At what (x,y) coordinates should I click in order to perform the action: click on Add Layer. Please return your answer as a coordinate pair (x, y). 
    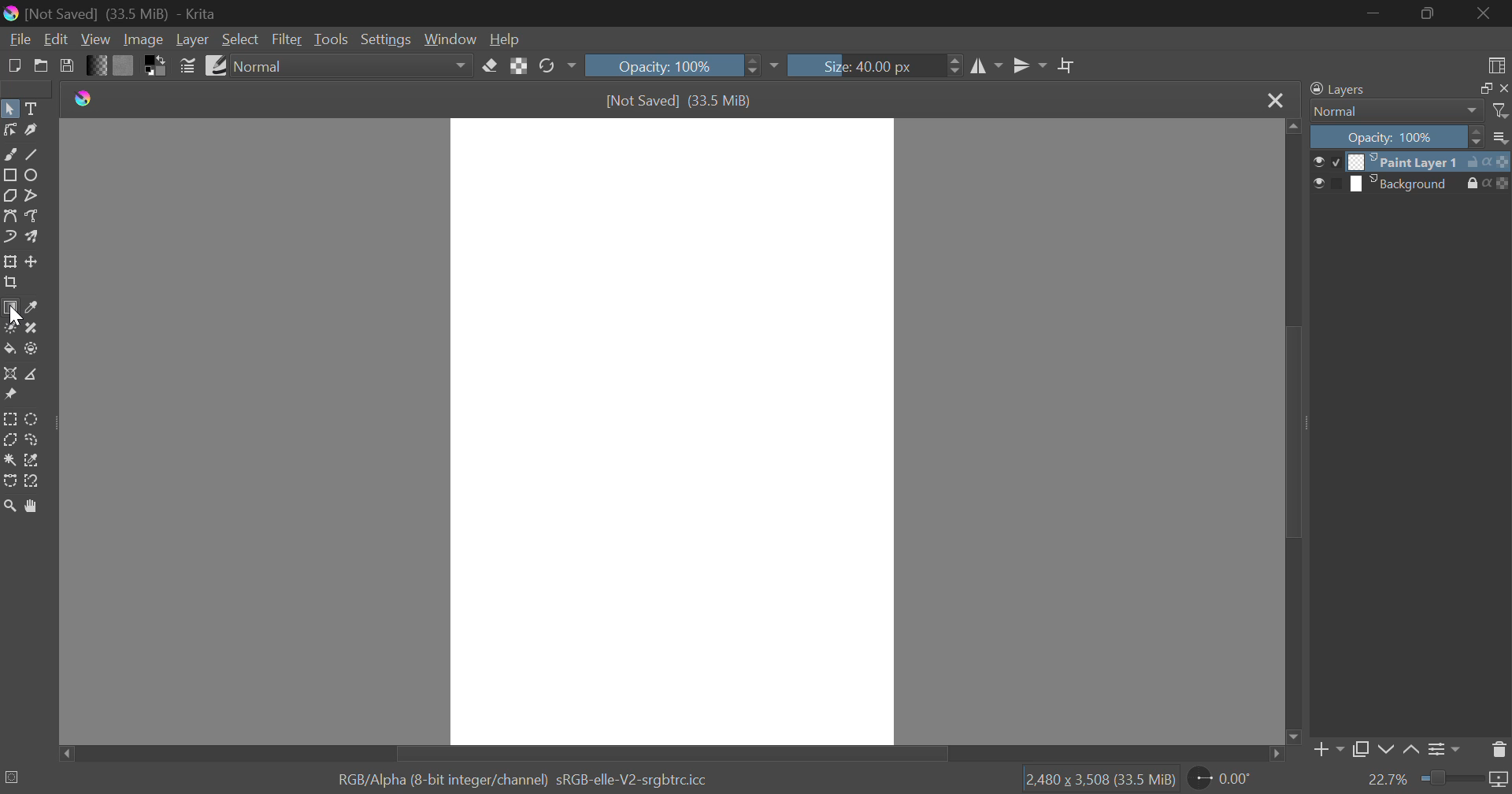
    Looking at the image, I should click on (1327, 753).